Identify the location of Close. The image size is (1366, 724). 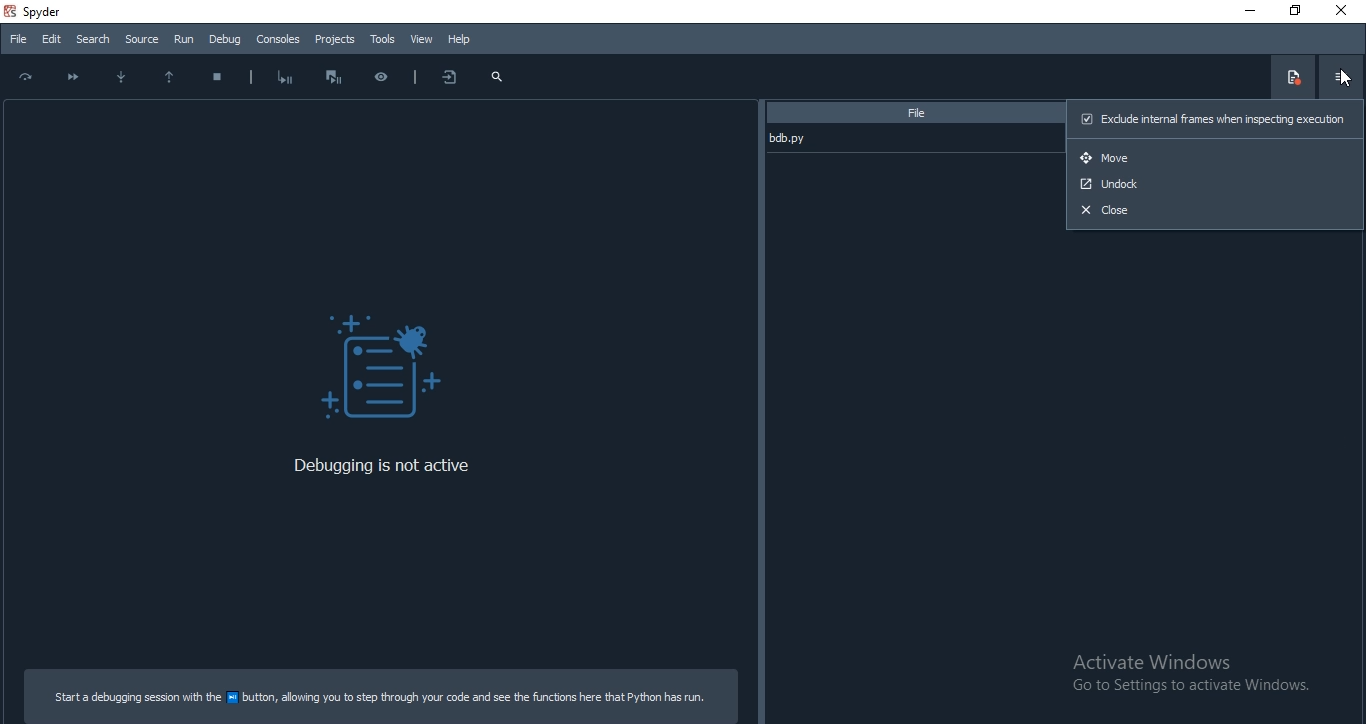
(1345, 12).